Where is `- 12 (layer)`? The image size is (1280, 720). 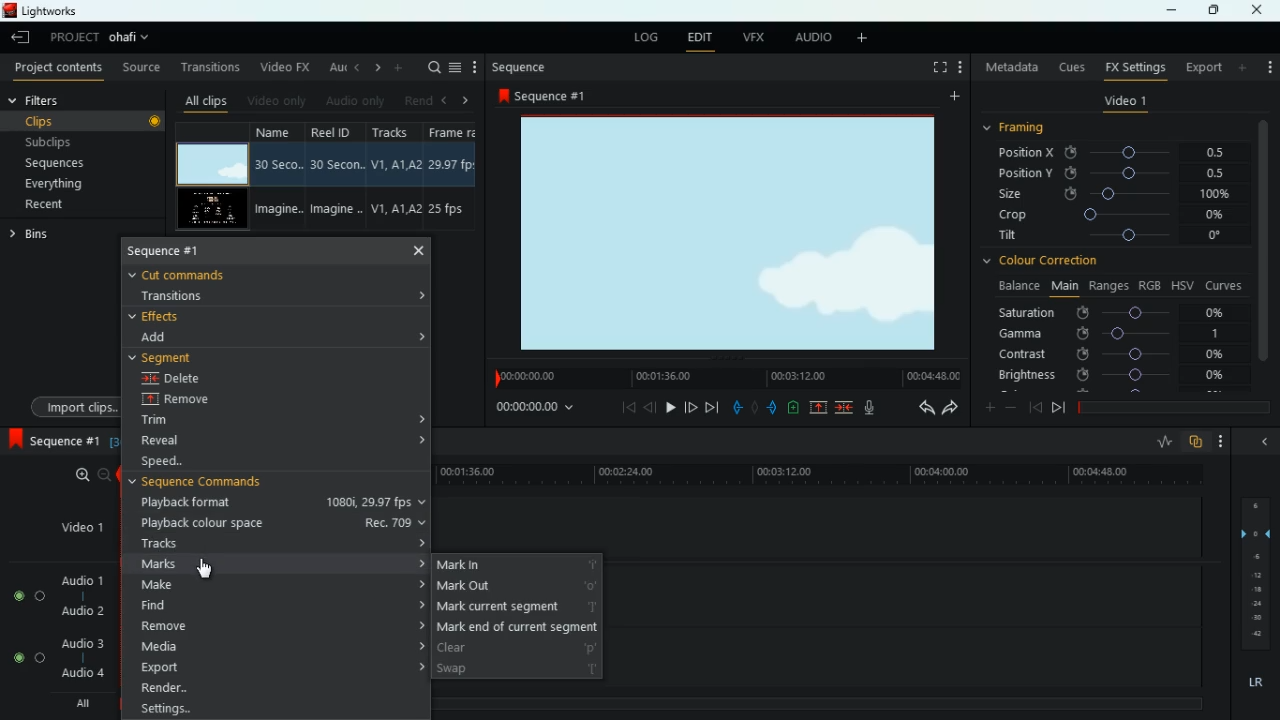
- 12 (layer) is located at coordinates (1258, 574).